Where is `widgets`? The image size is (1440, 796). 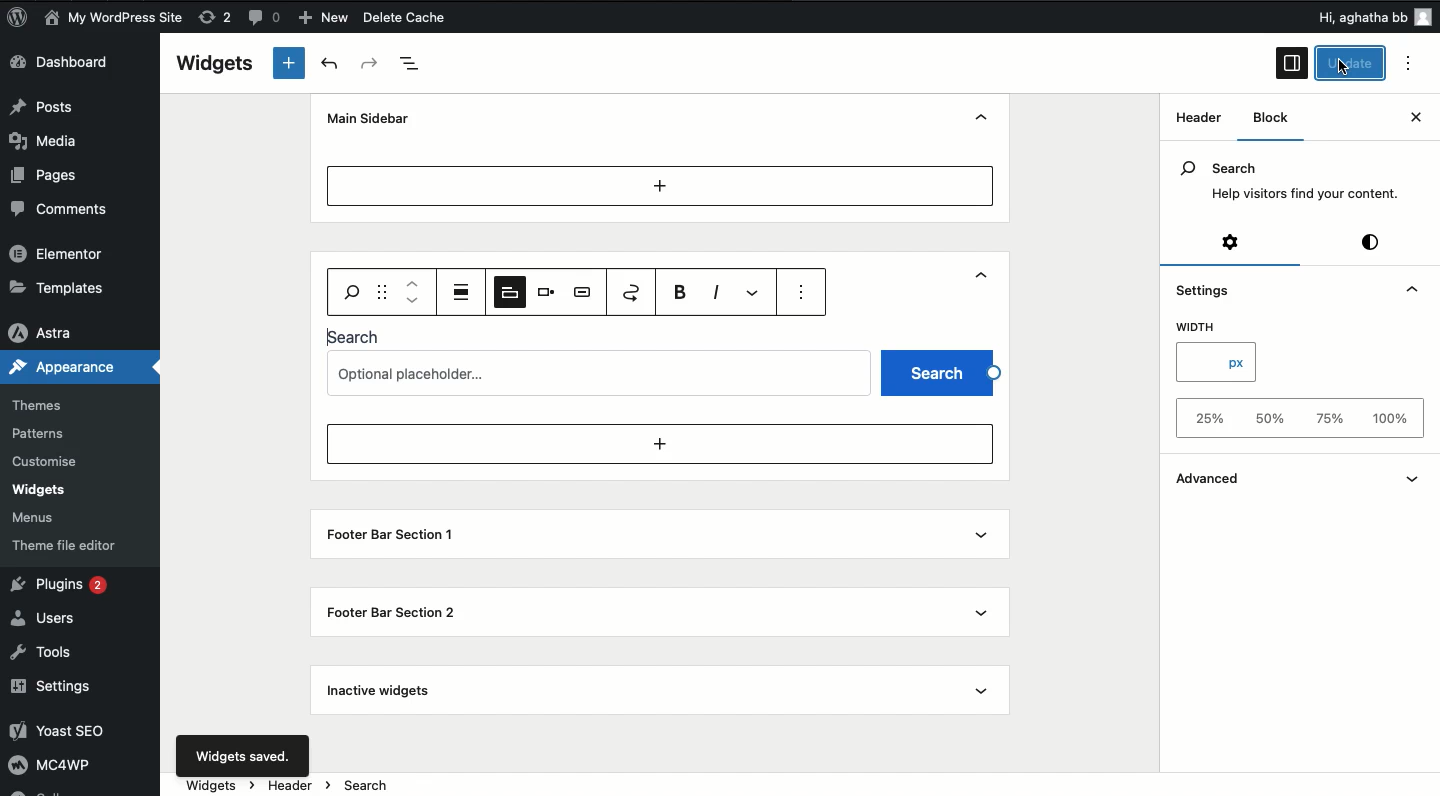 widgets is located at coordinates (800, 785).